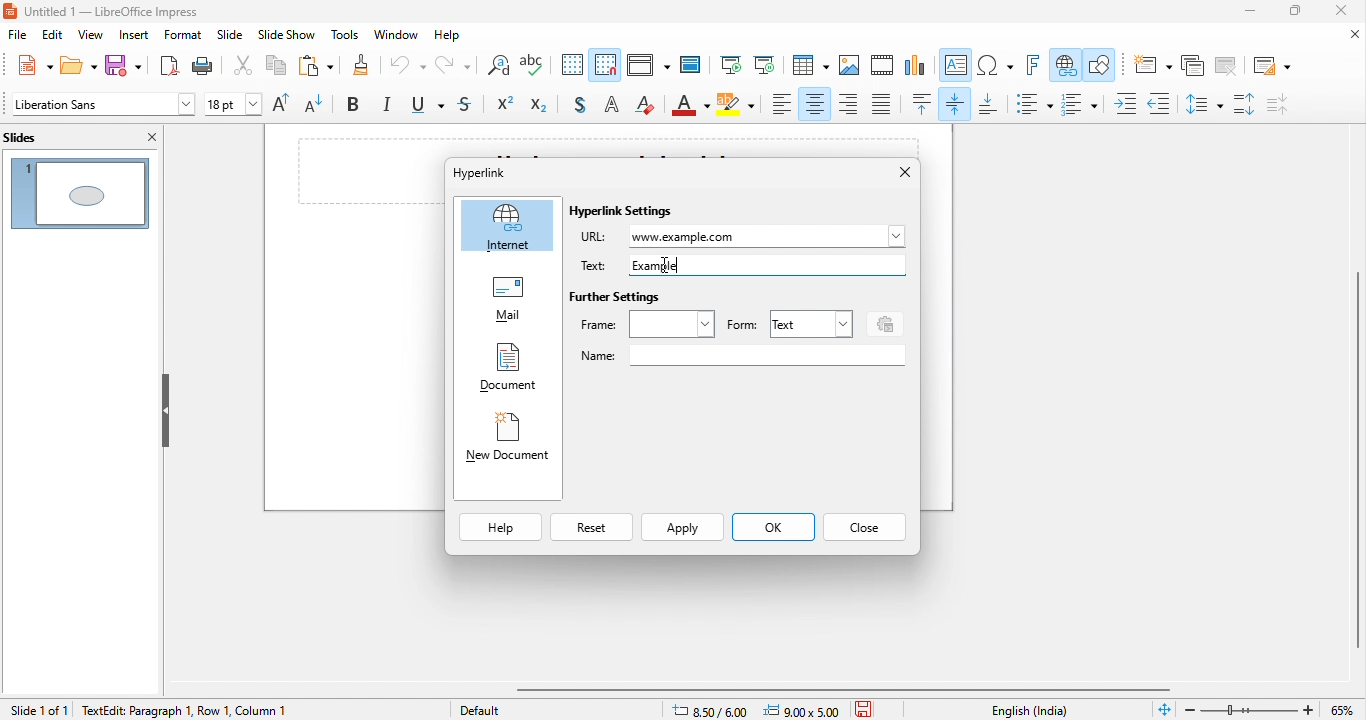 The image size is (1366, 720). I want to click on insert , so click(135, 35).